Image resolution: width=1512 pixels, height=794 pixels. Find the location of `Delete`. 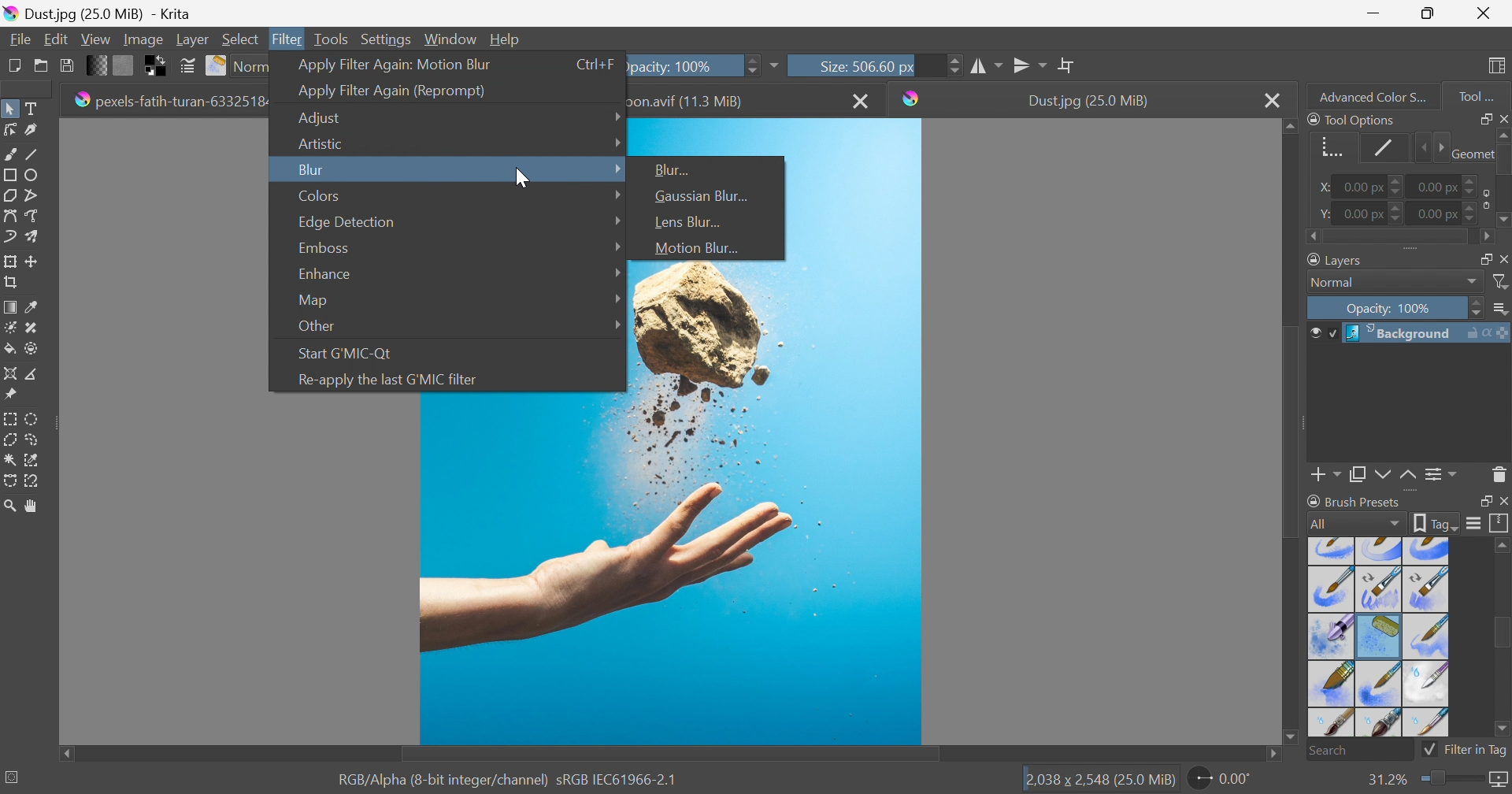

Delete is located at coordinates (1499, 473).